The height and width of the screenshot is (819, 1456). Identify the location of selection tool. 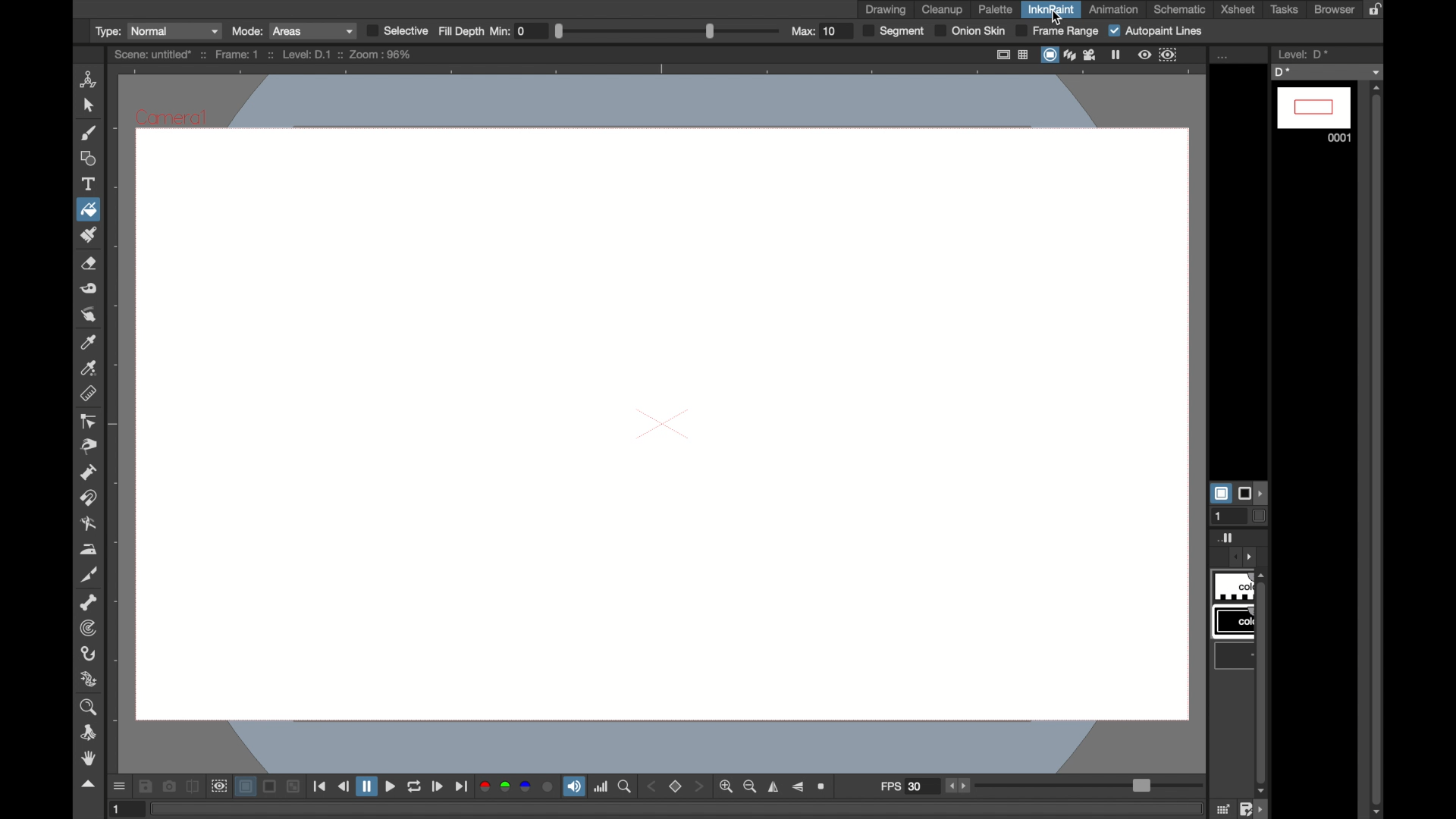
(87, 106).